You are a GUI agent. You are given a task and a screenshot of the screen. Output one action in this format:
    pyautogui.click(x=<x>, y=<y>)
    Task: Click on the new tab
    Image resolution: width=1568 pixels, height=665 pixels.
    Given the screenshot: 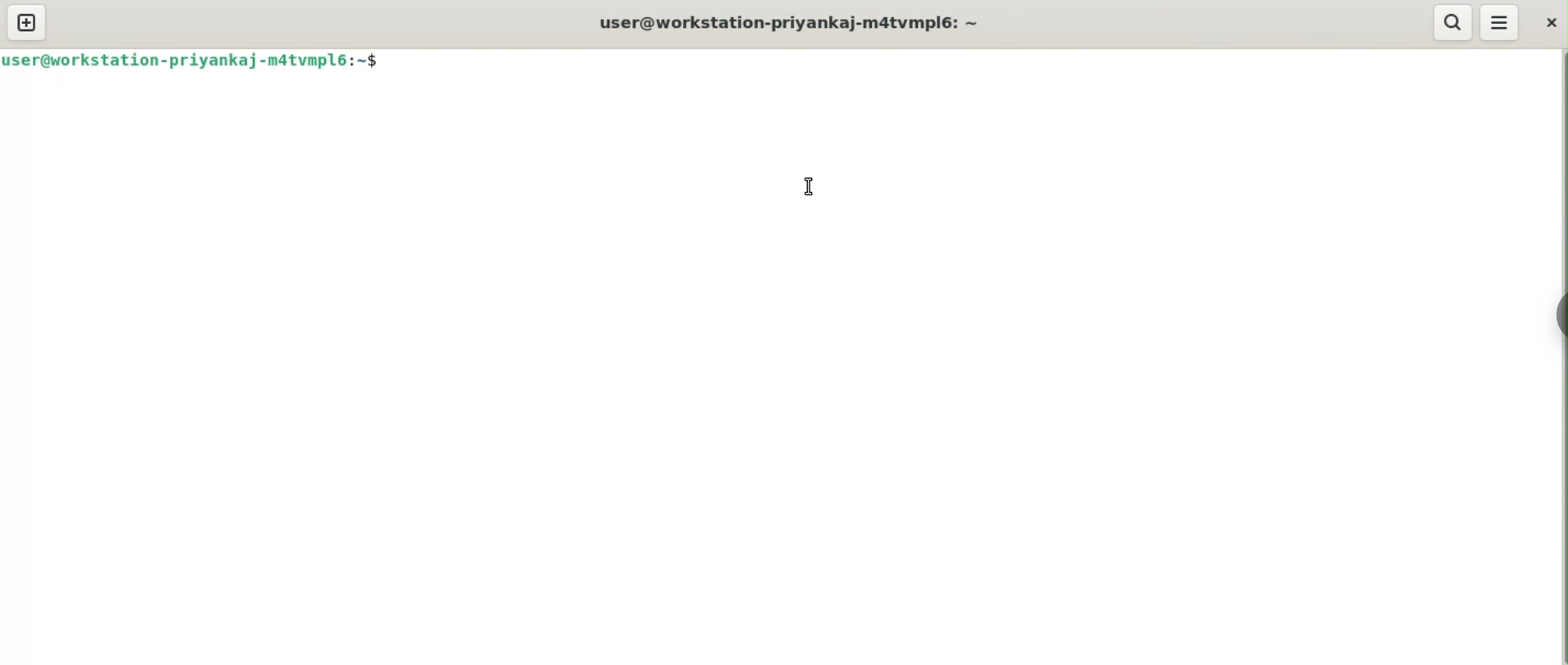 What is the action you would take?
    pyautogui.click(x=28, y=22)
    